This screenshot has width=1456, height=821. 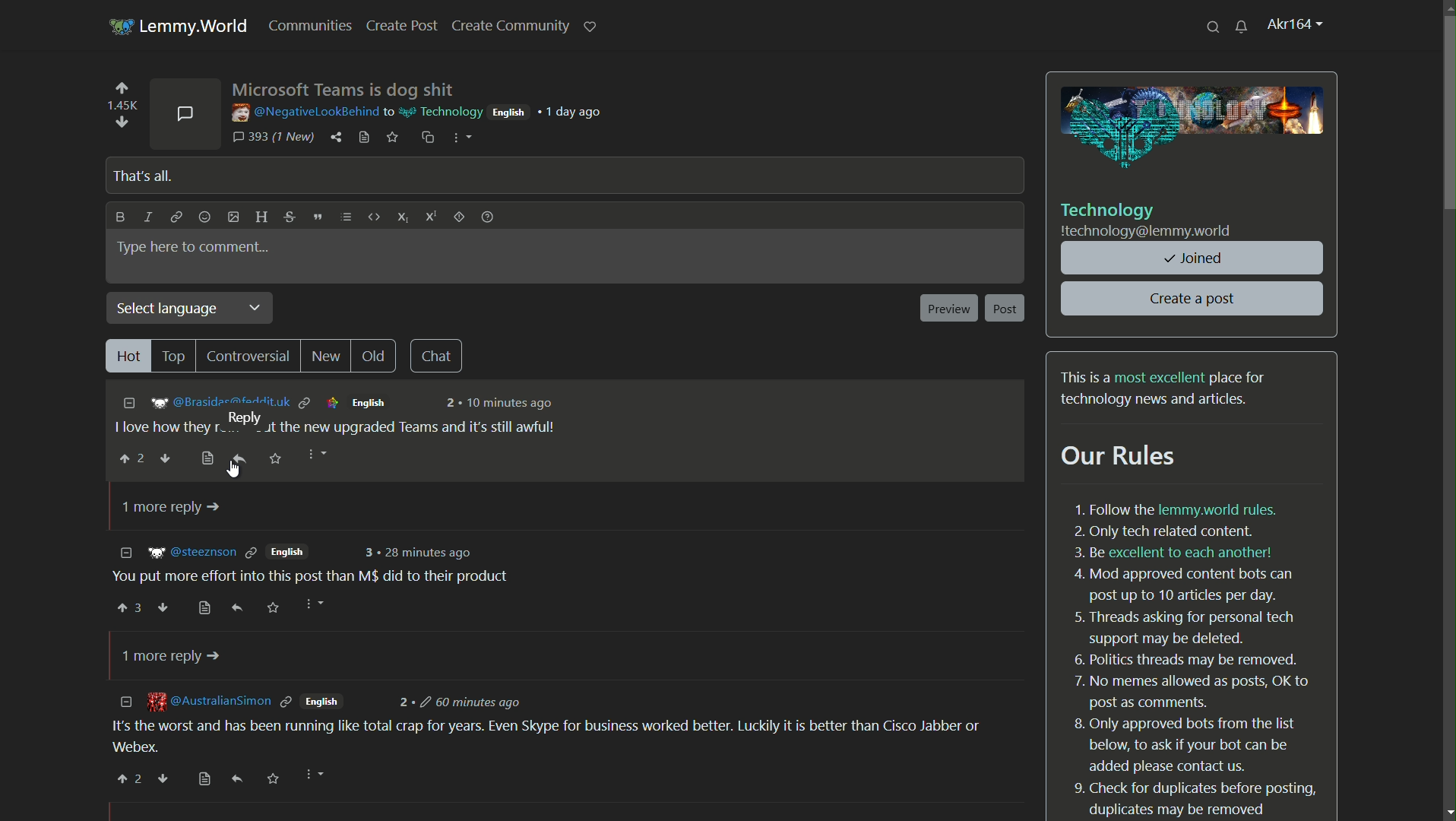 I want to click on post name, so click(x=344, y=88).